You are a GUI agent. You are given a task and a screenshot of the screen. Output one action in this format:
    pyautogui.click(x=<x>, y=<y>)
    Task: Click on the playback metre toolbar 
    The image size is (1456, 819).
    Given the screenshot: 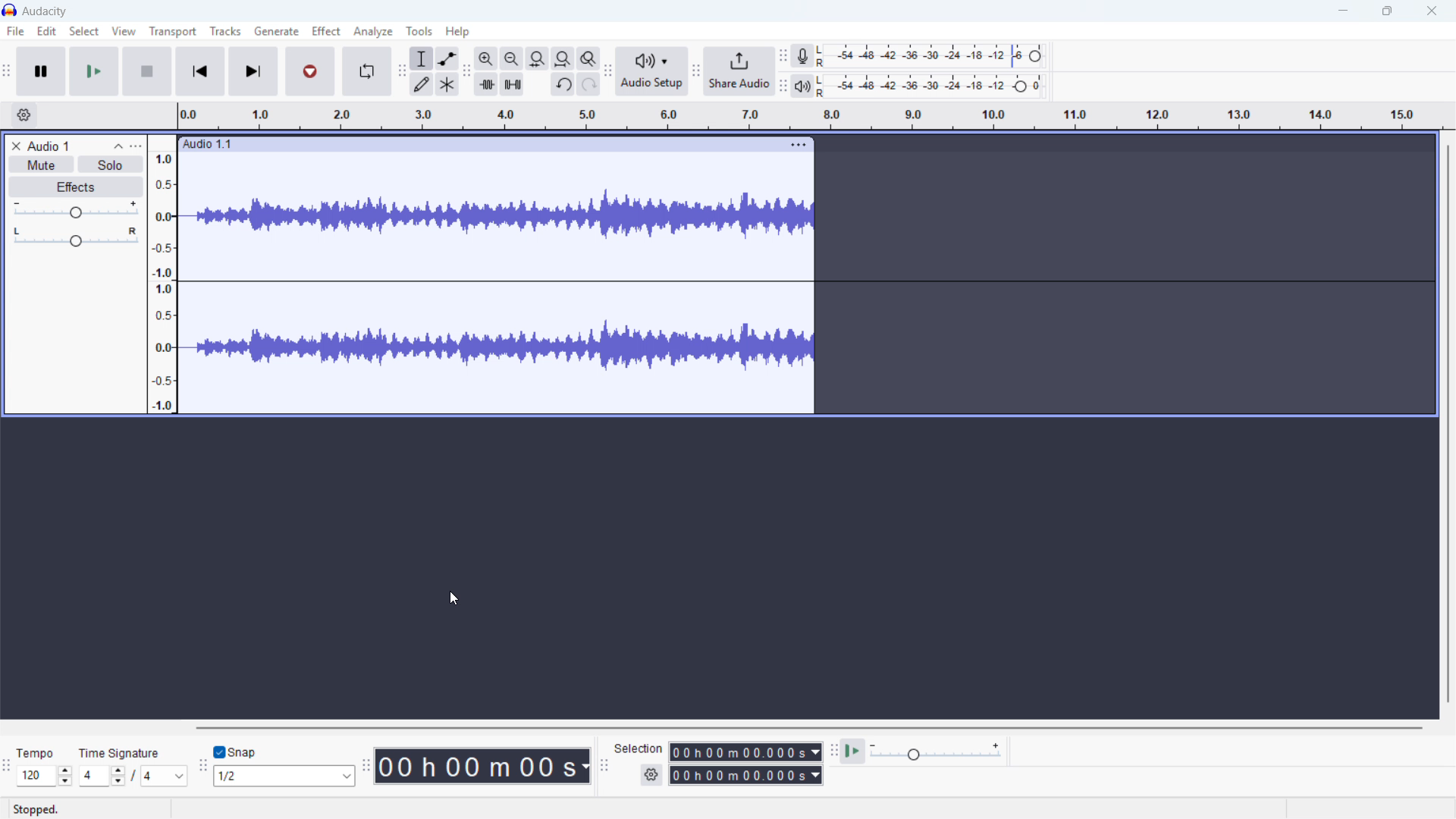 What is the action you would take?
    pyautogui.click(x=783, y=86)
    